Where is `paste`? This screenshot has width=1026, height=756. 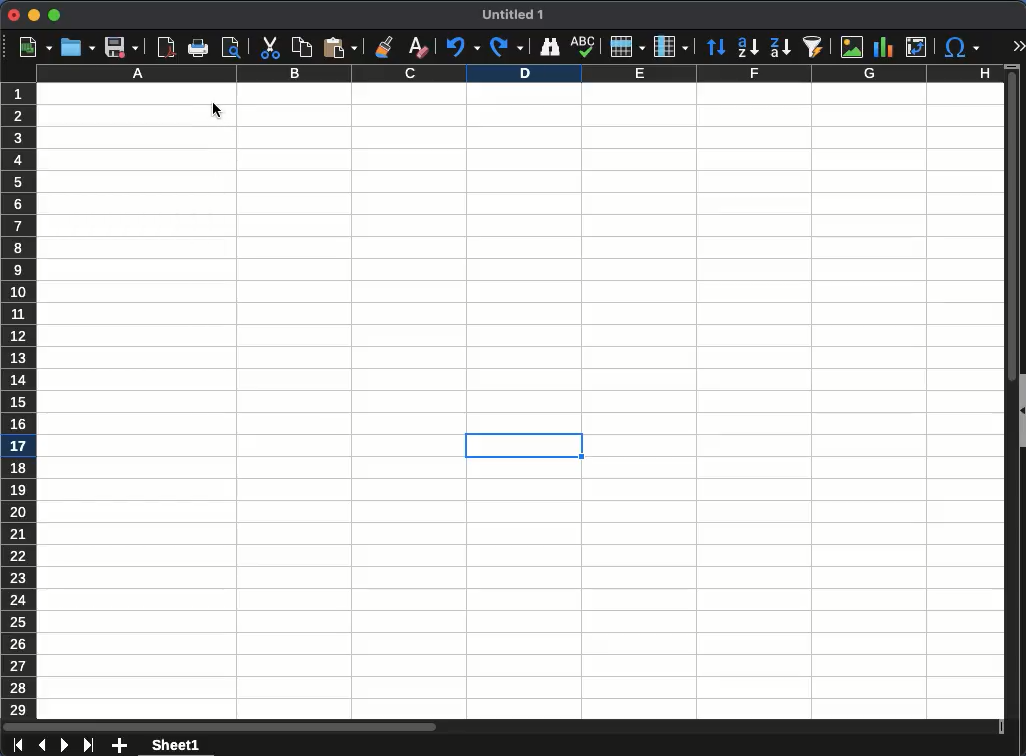
paste is located at coordinates (339, 48).